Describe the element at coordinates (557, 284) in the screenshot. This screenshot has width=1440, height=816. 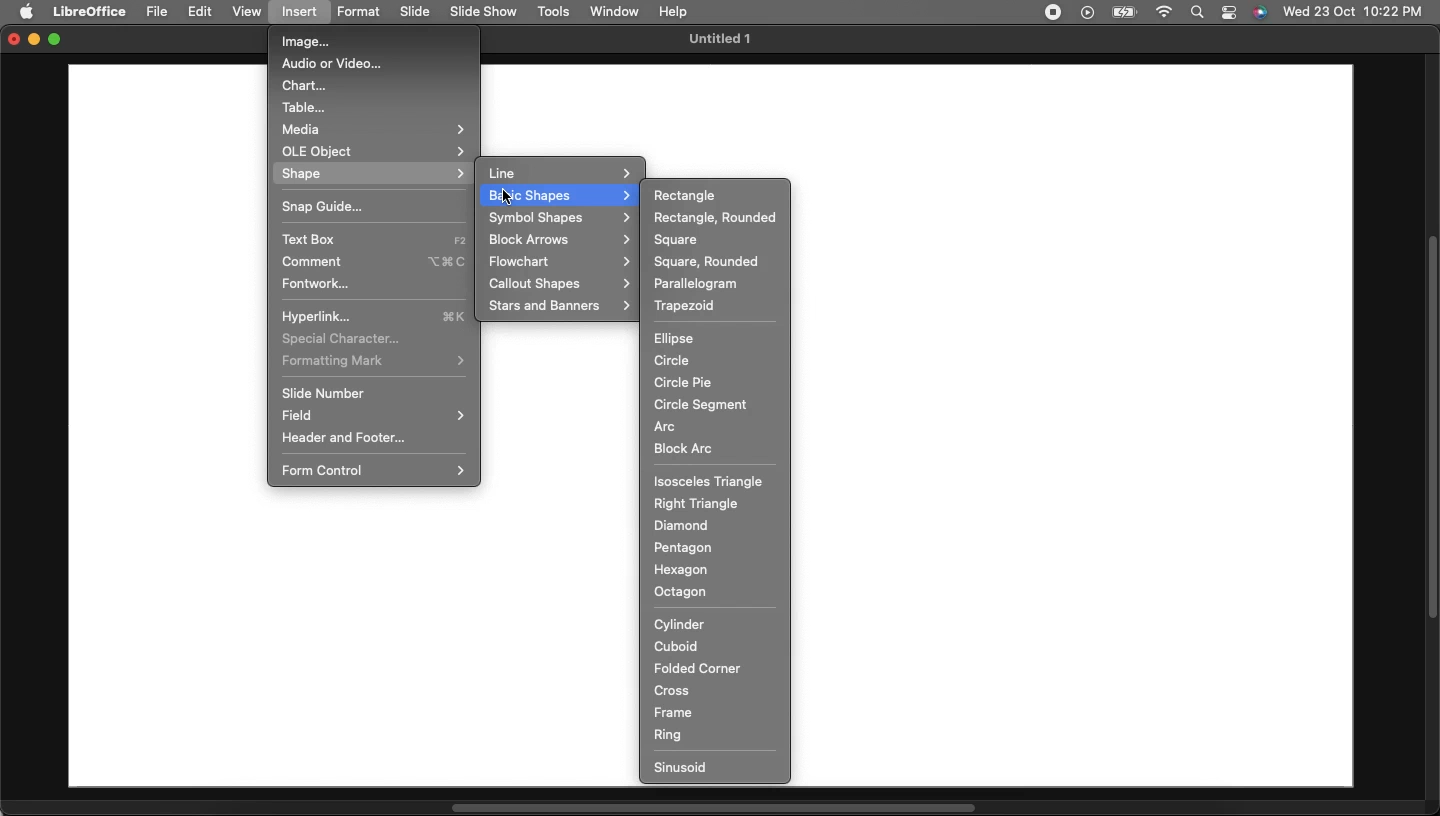
I see `Callout shapes` at that location.